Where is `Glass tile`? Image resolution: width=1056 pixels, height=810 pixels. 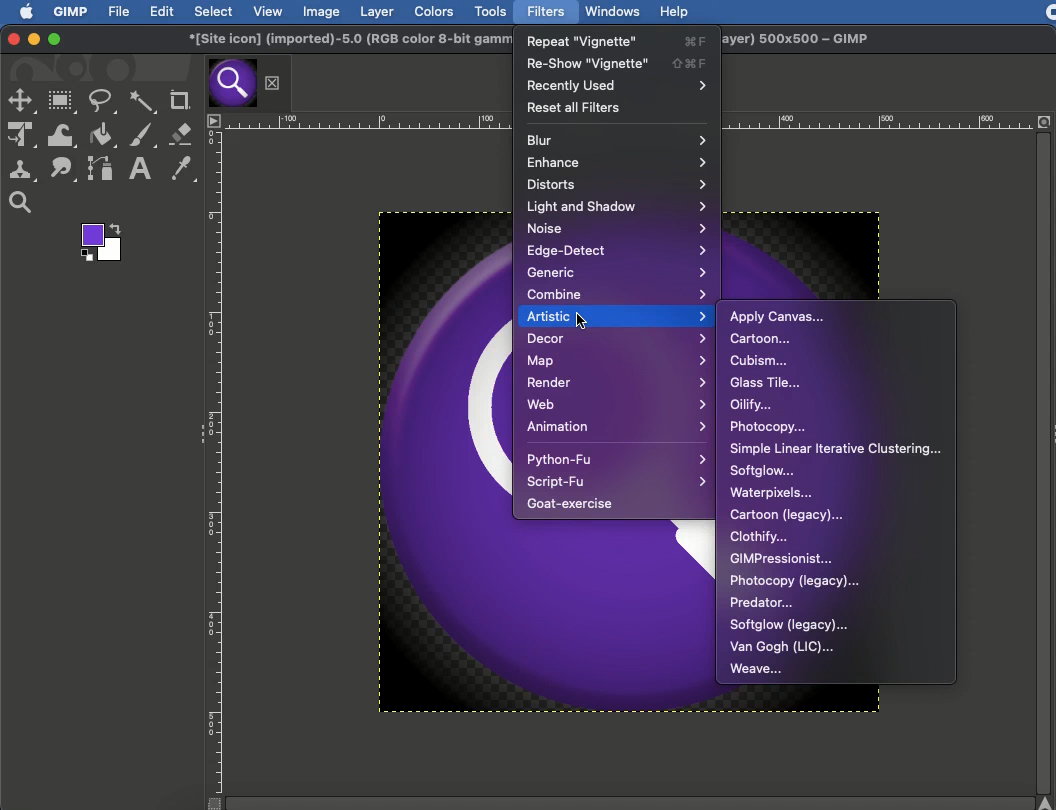
Glass tile is located at coordinates (768, 382).